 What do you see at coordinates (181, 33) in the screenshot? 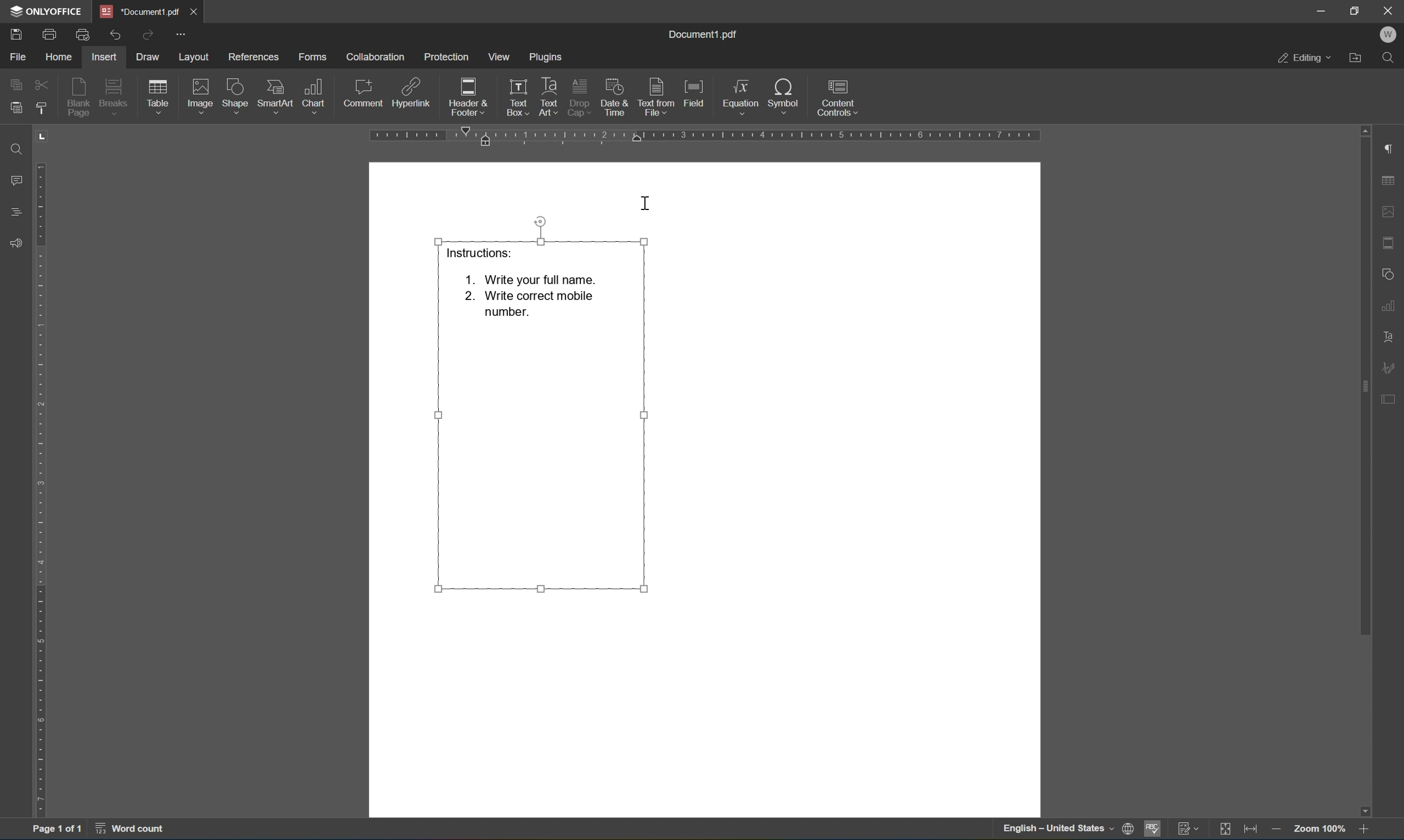
I see `More` at bounding box center [181, 33].